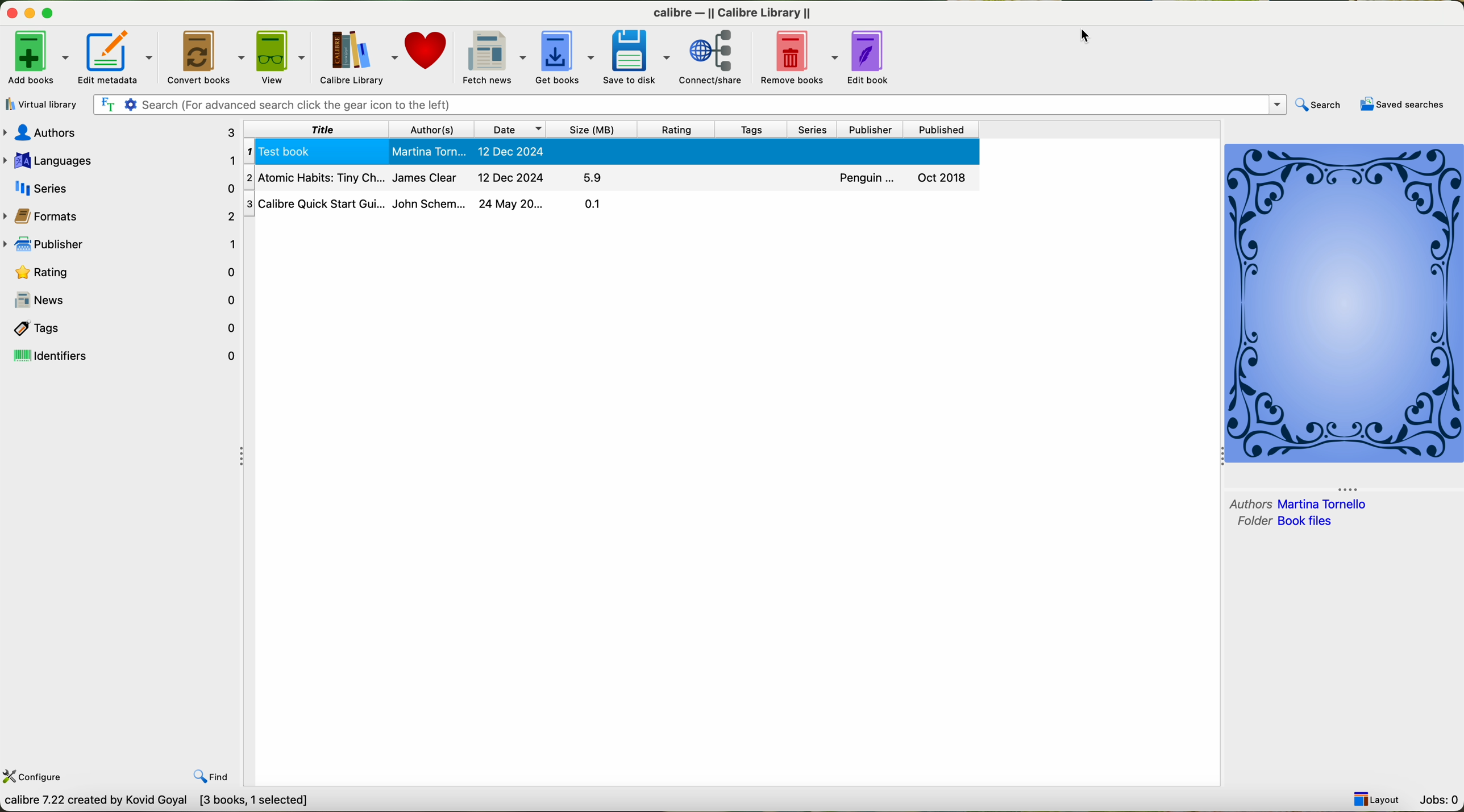 This screenshot has height=812, width=1464. What do you see at coordinates (212, 778) in the screenshot?
I see `find` at bounding box center [212, 778].